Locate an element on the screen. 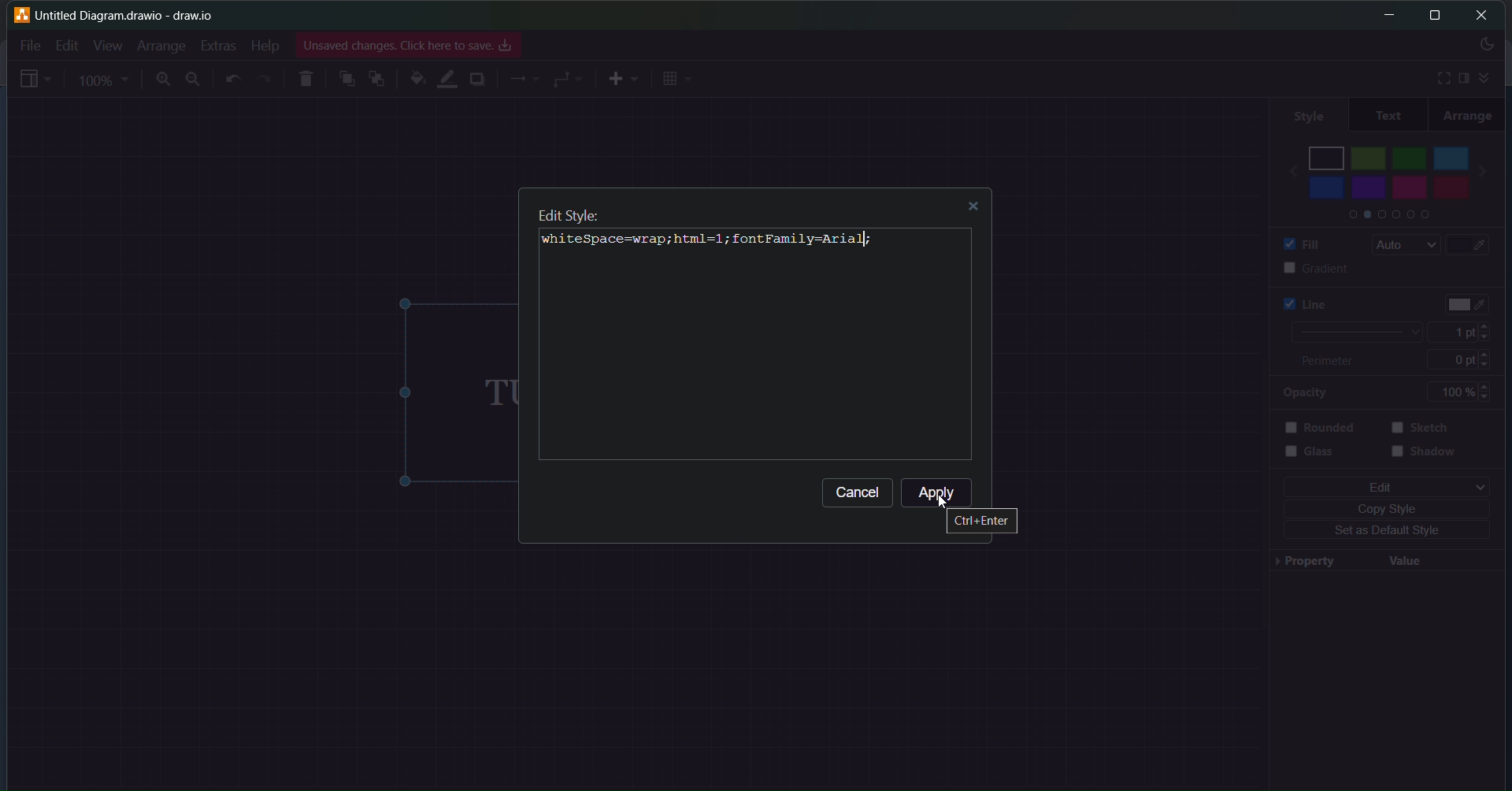 This screenshot has height=791, width=1512. delete is located at coordinates (308, 76).